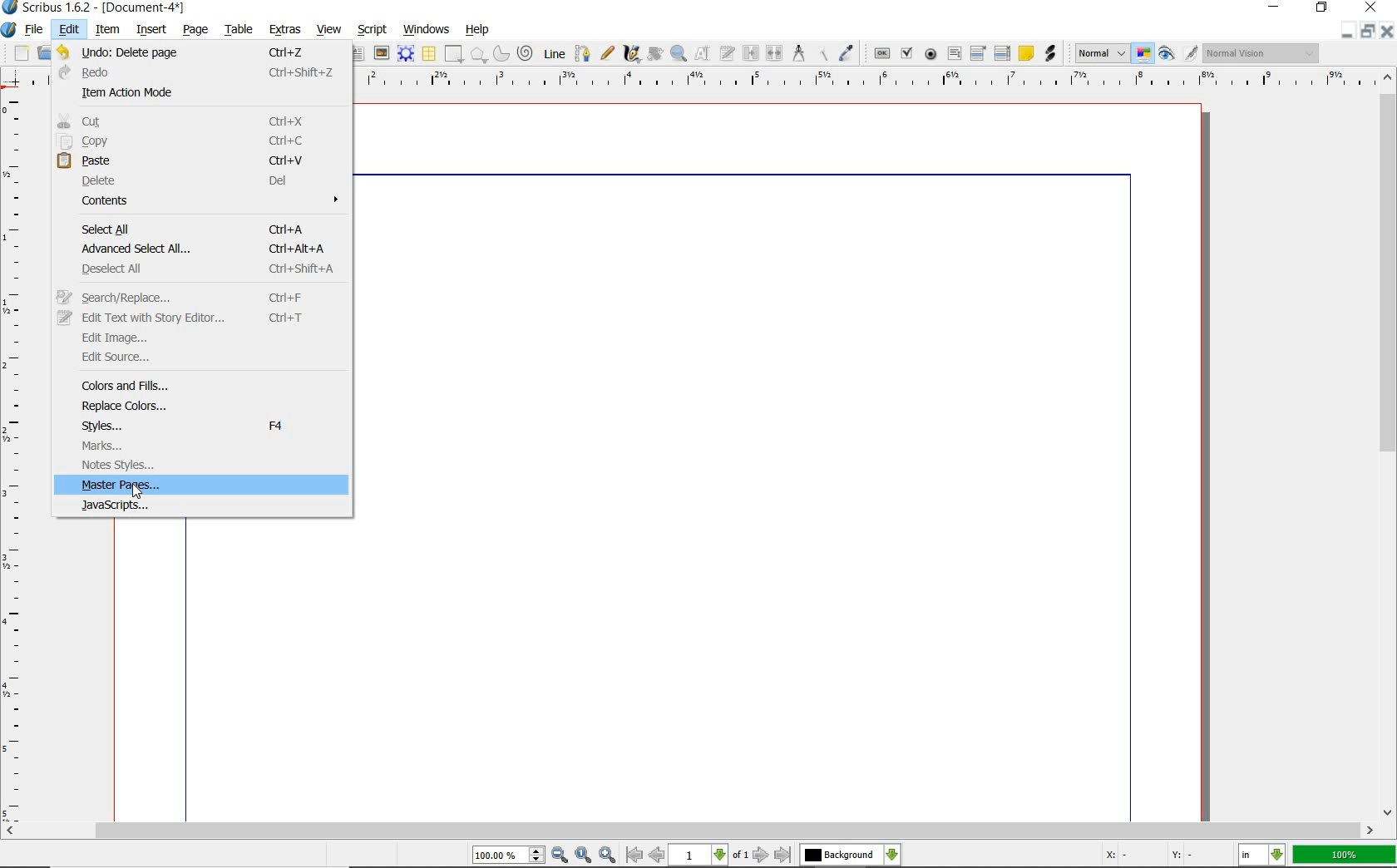 This screenshot has height=868, width=1397. I want to click on minimize, so click(1276, 8).